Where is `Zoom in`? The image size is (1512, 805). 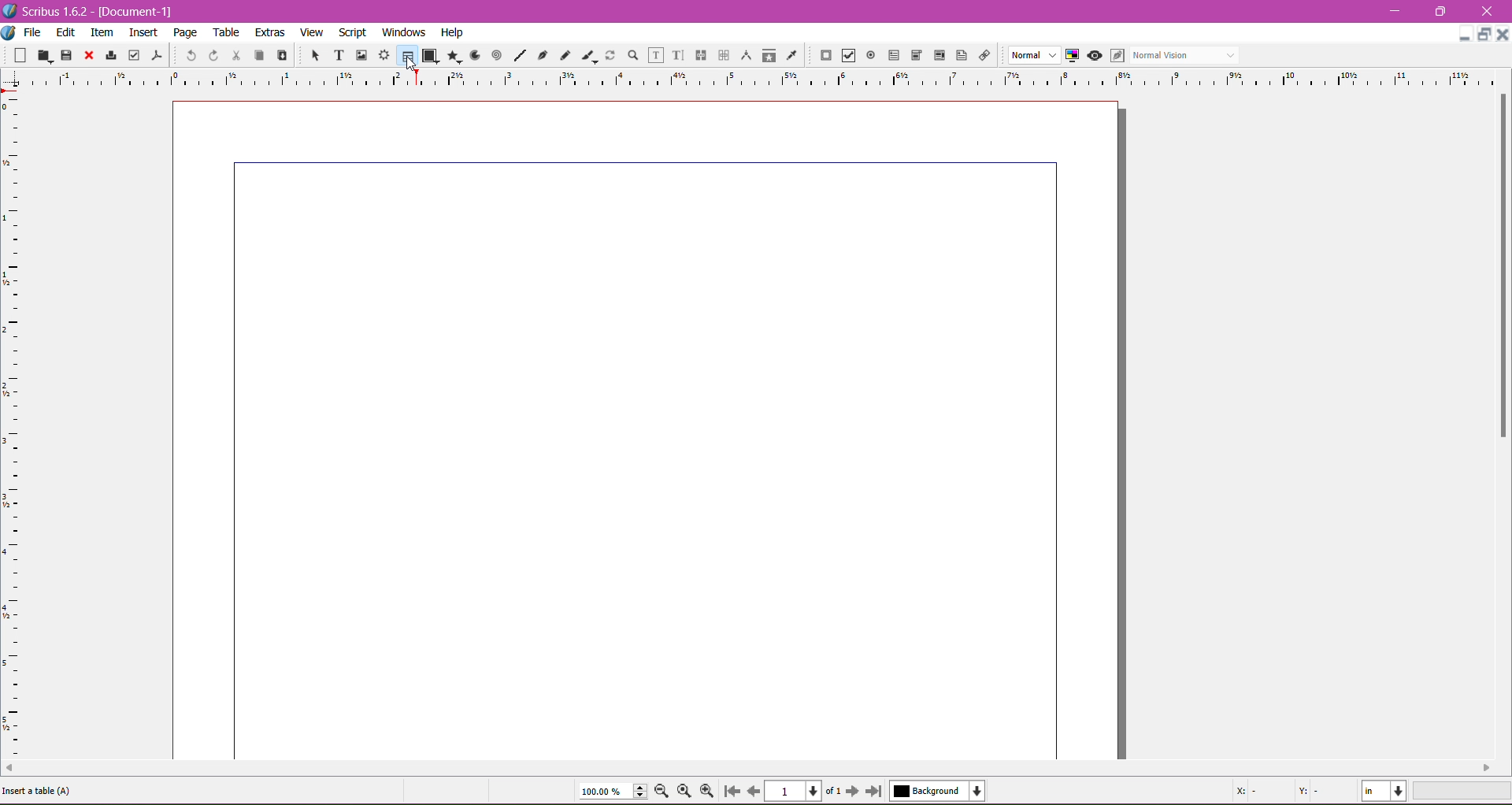
Zoom in is located at coordinates (708, 791).